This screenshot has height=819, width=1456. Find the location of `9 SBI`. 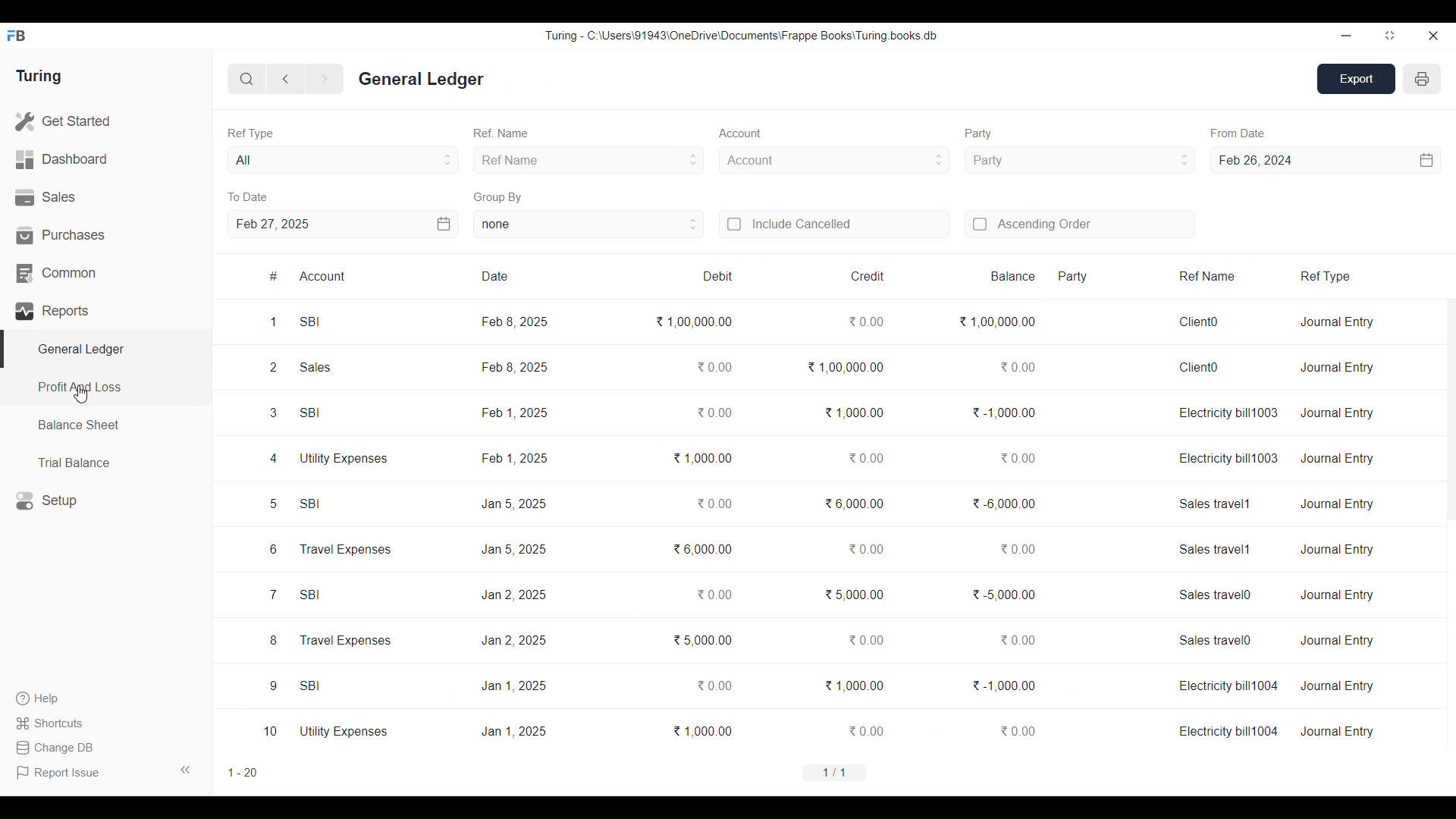

9 SBI is located at coordinates (295, 685).